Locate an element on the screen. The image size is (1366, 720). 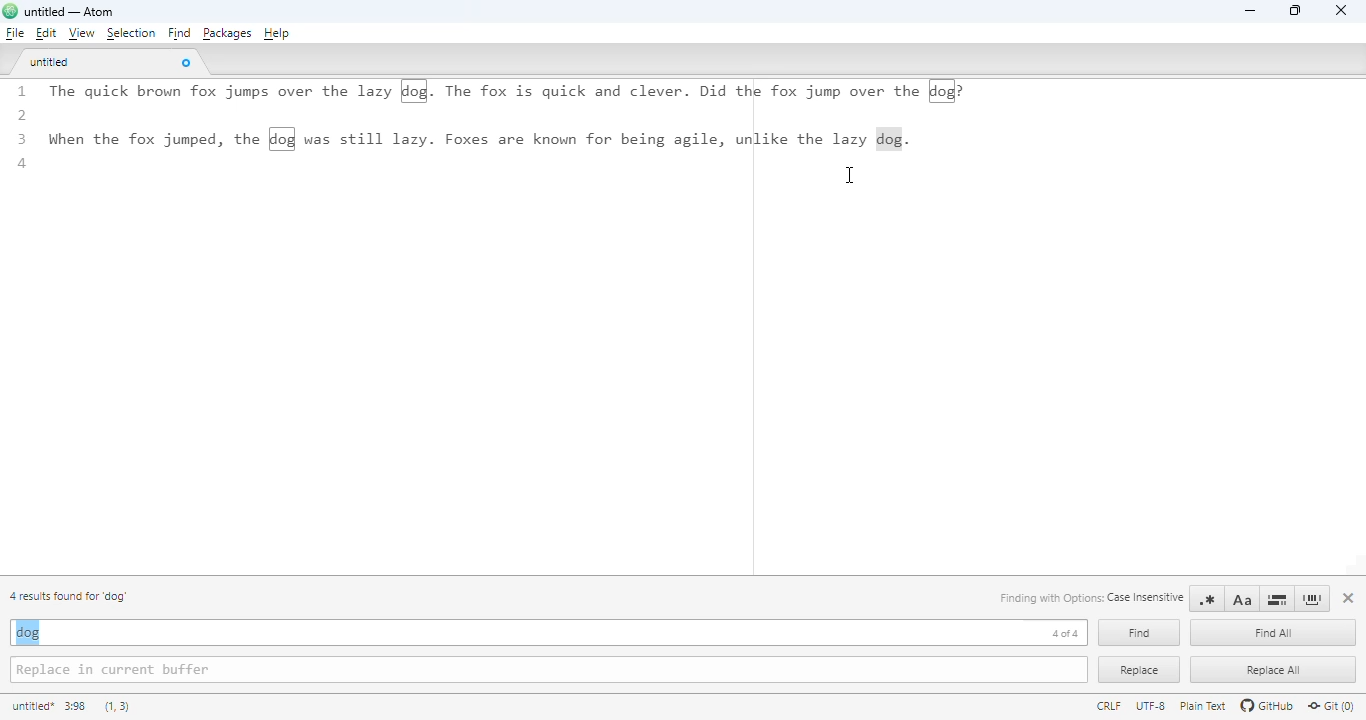
highlighted occurrence of 'dog'  is located at coordinates (415, 90).